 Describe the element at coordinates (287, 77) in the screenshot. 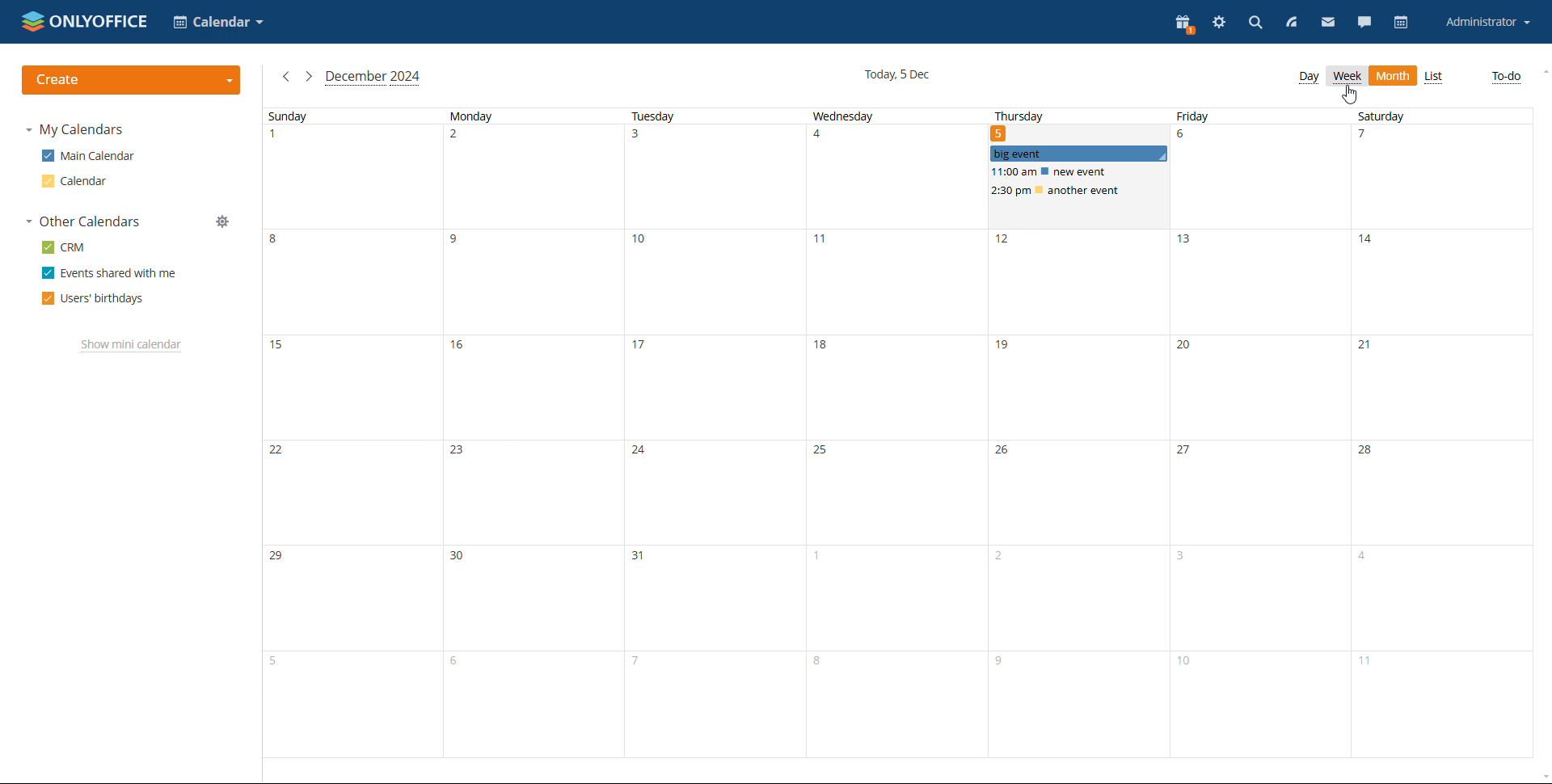

I see `previous month` at that location.